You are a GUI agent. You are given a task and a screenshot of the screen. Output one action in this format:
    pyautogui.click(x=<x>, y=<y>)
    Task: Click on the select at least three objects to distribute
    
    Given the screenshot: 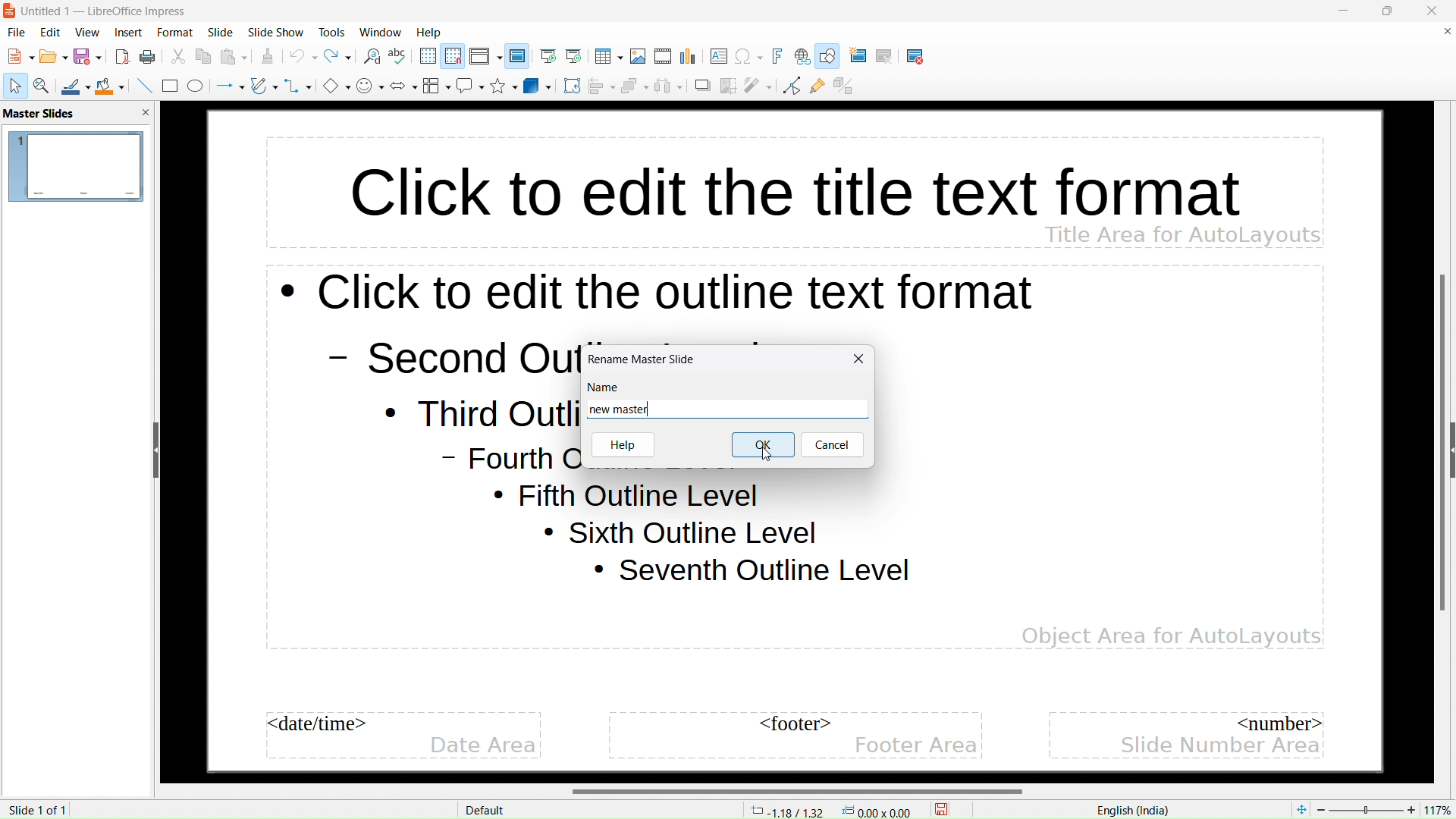 What is the action you would take?
    pyautogui.click(x=669, y=86)
    